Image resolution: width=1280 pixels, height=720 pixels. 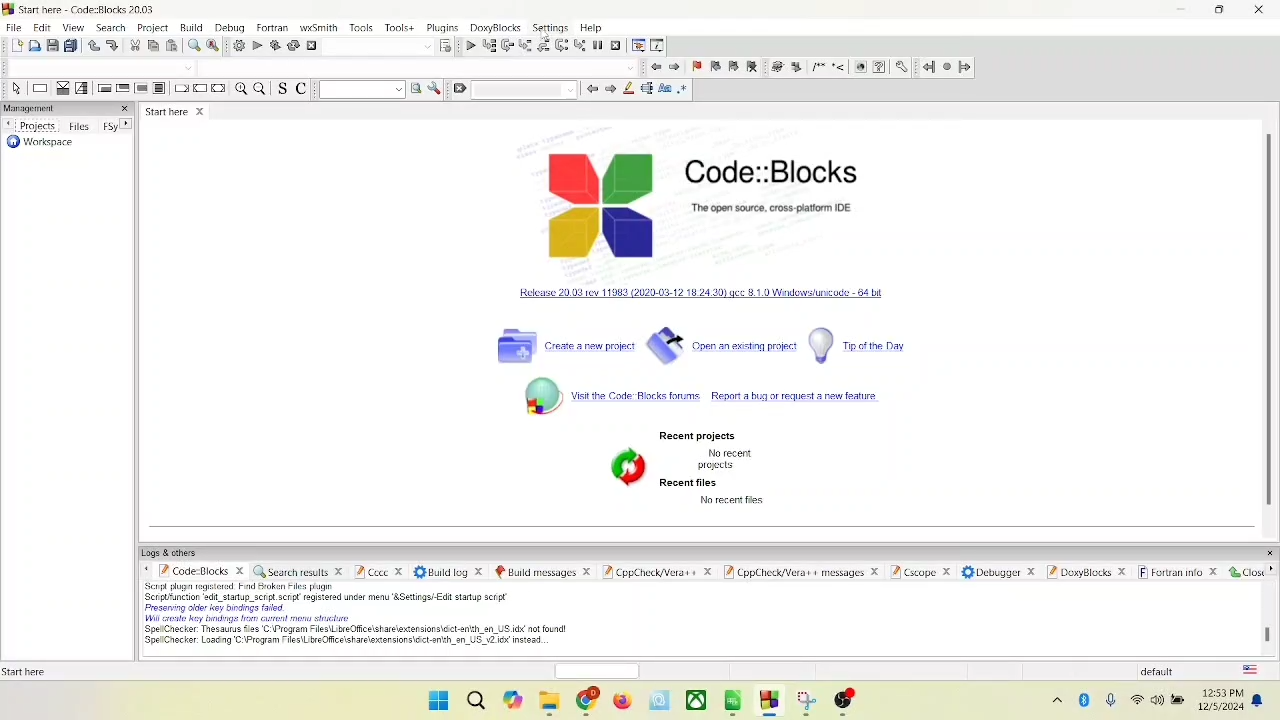 I want to click on zoom in, so click(x=239, y=91).